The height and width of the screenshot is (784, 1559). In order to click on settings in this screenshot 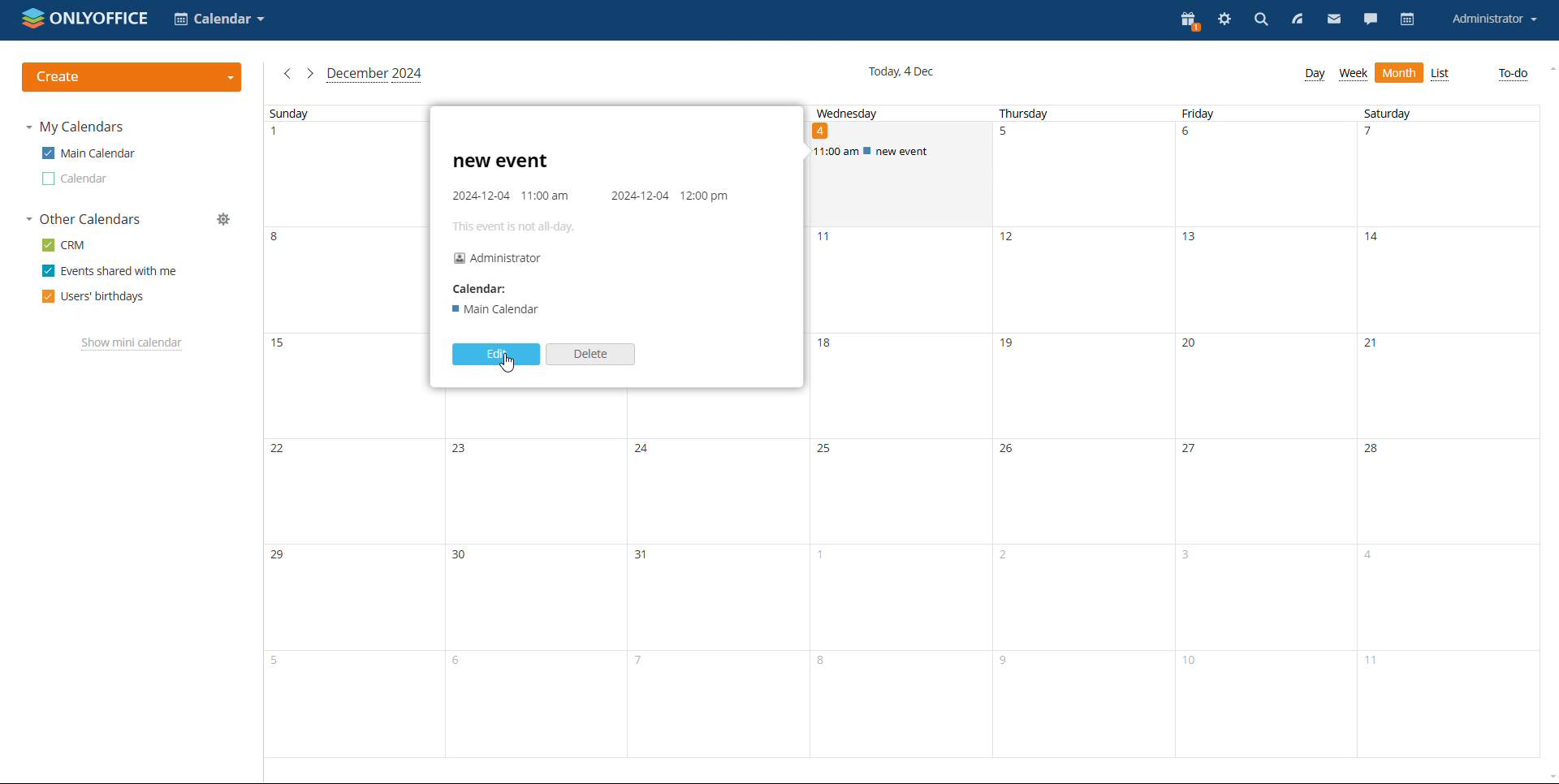, I will do `click(1223, 21)`.